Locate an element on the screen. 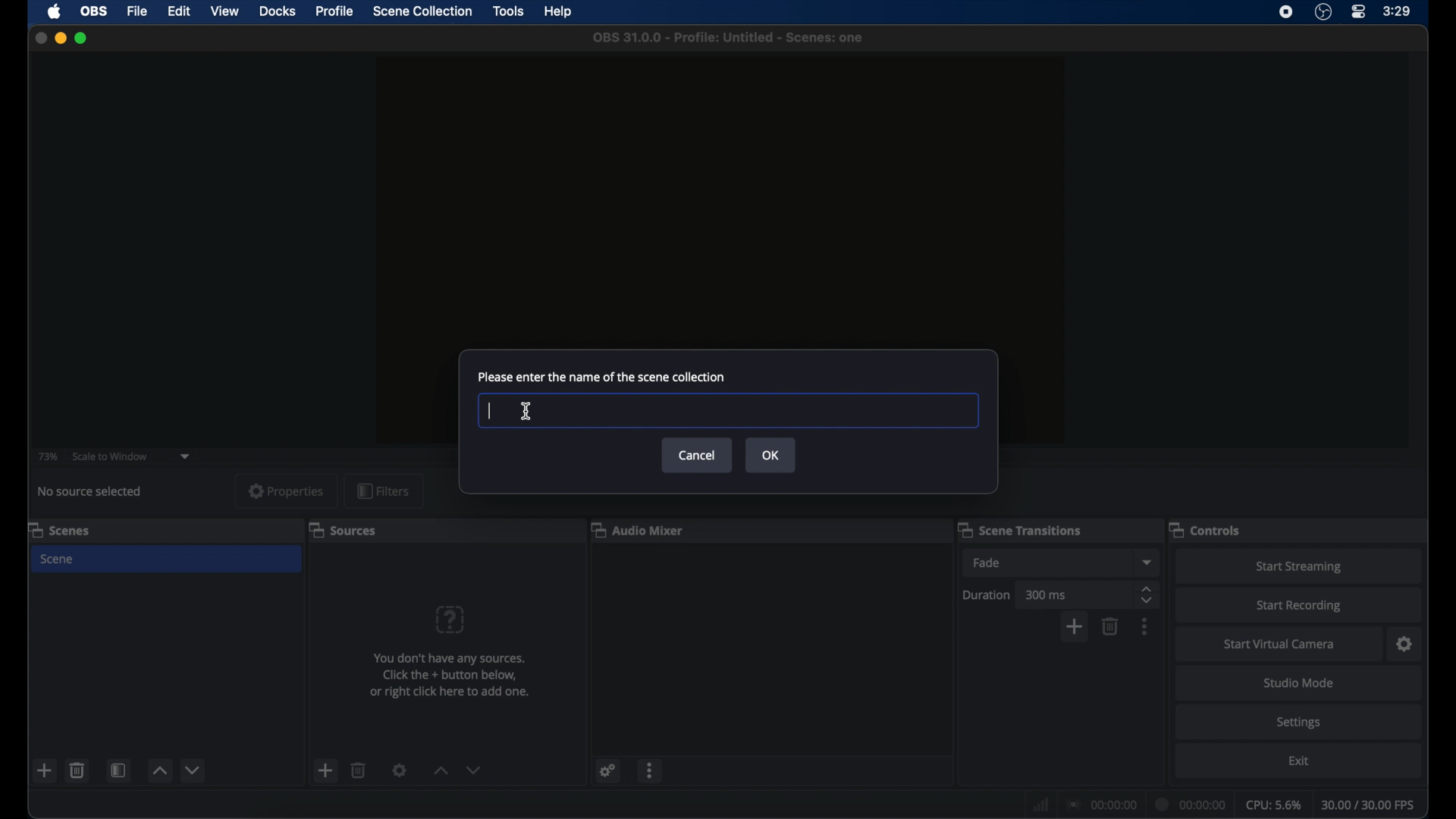  scale to window is located at coordinates (110, 457).